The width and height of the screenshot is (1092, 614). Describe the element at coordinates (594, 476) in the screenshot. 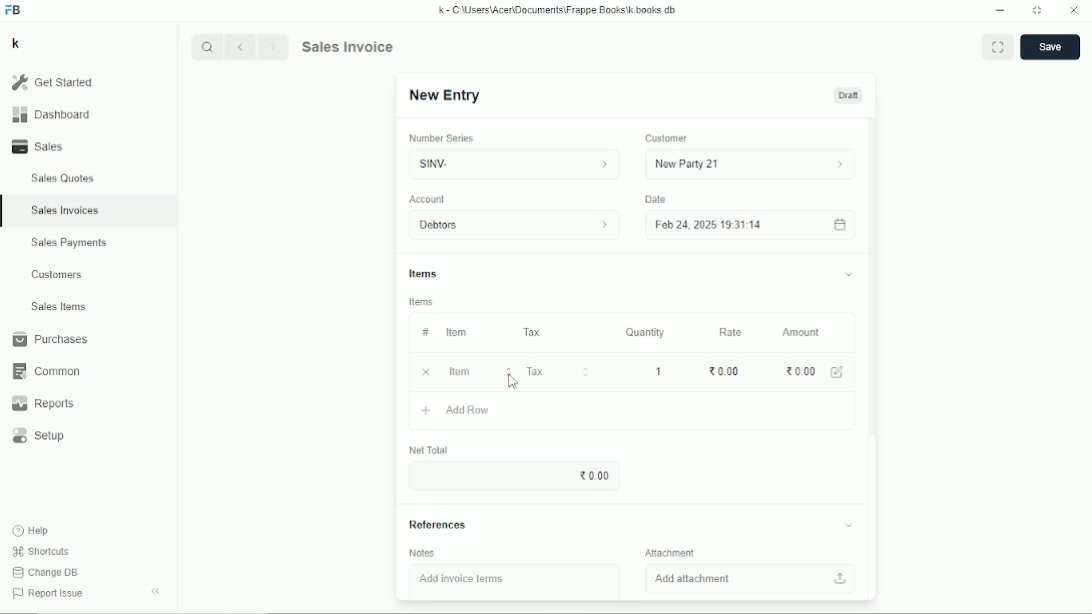

I see `0.00` at that location.